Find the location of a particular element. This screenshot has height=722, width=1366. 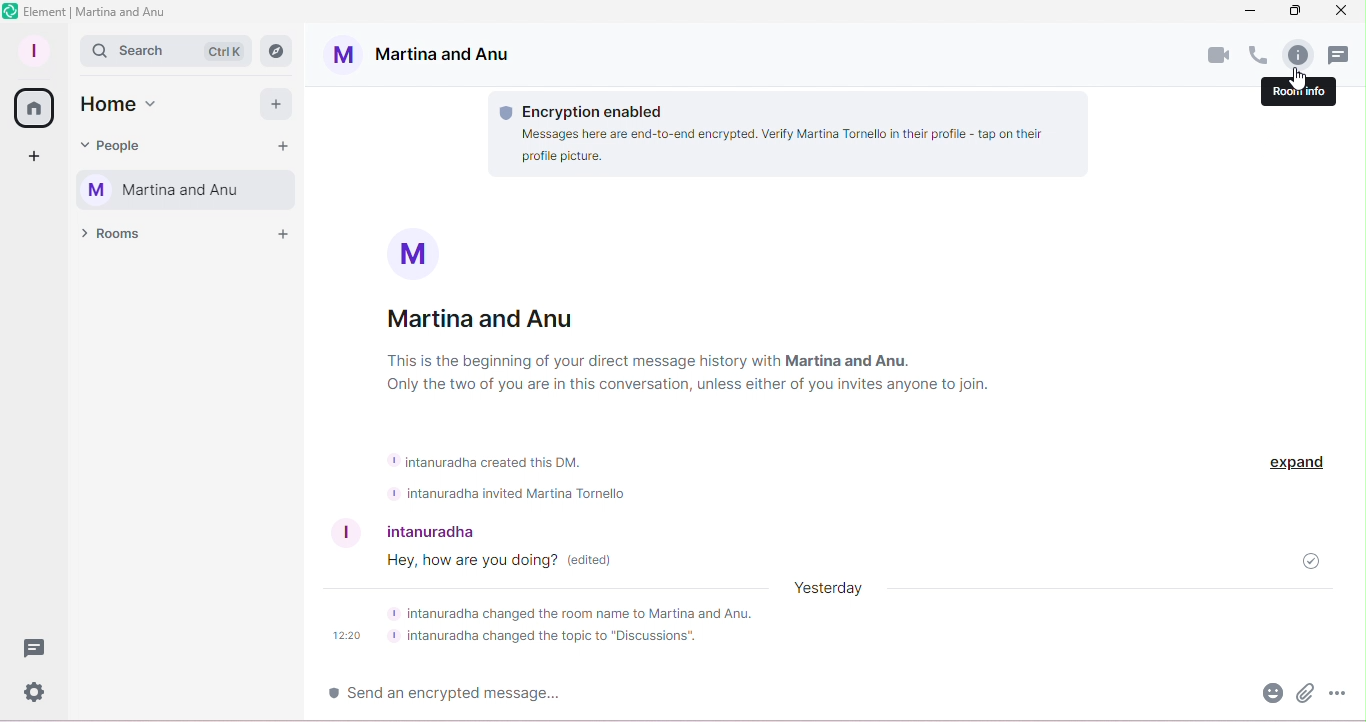

Start chat is located at coordinates (282, 145).